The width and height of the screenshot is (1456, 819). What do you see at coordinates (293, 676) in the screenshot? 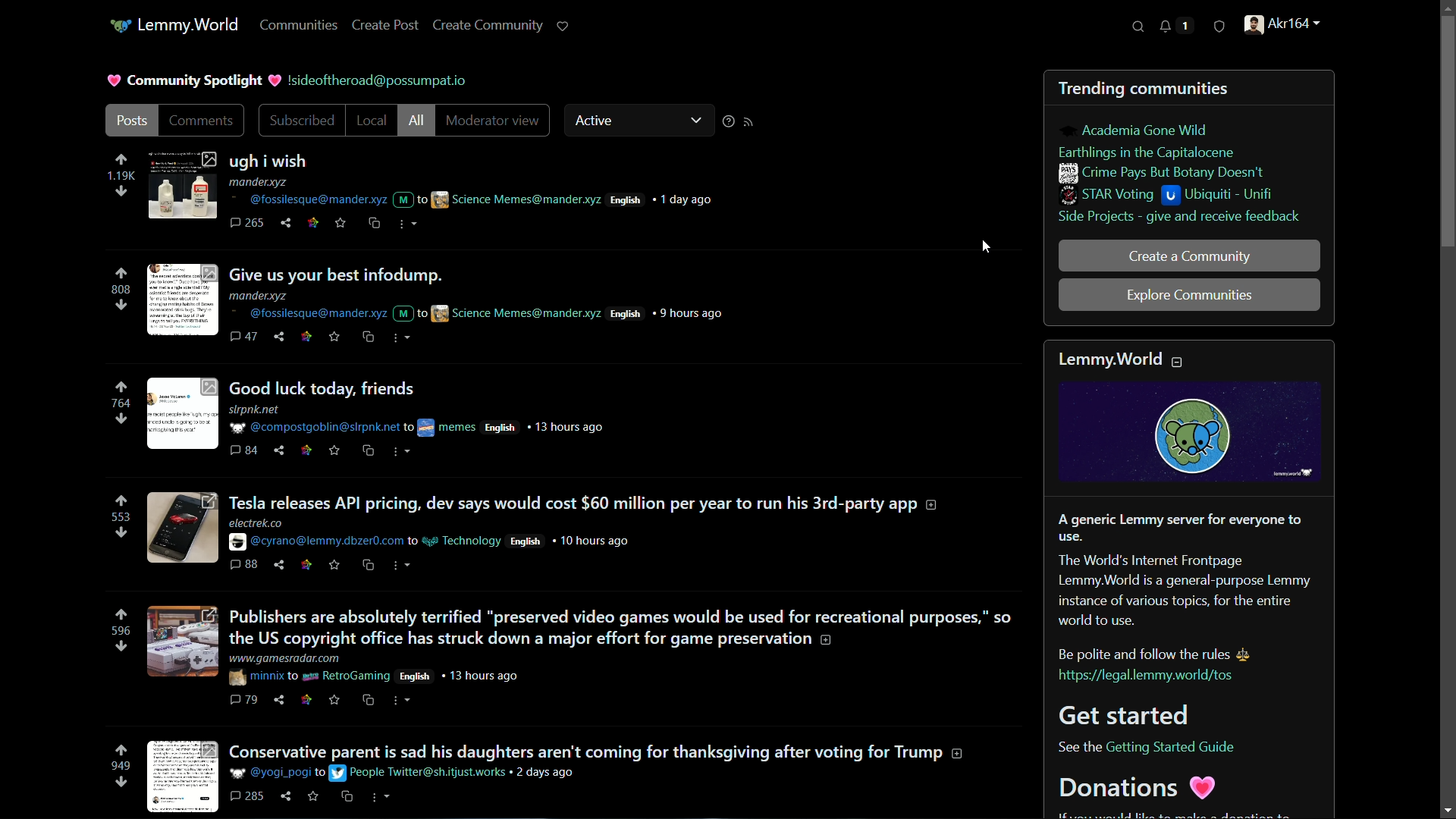
I see `to` at bounding box center [293, 676].